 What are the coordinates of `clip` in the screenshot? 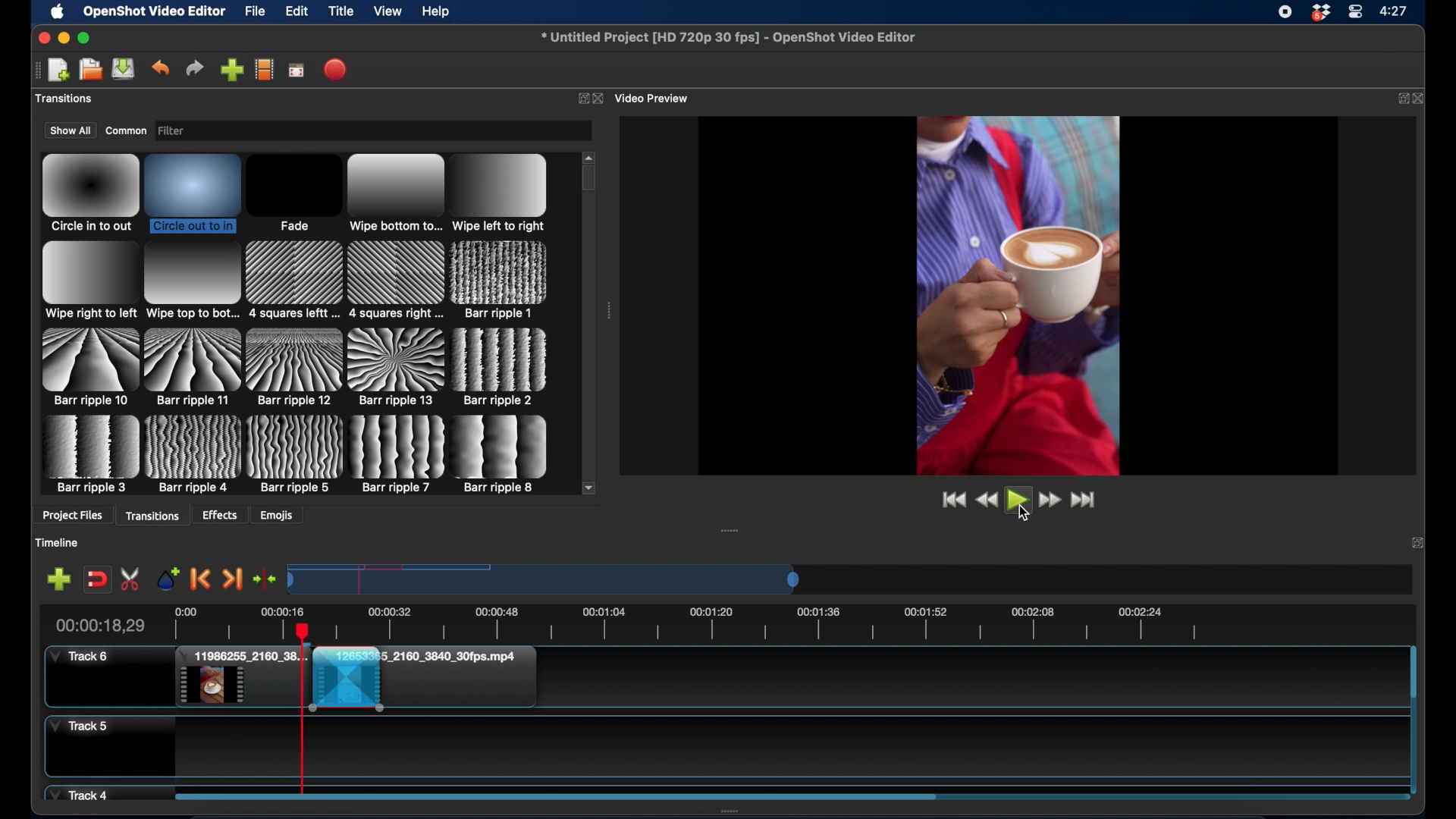 It's located at (241, 678).